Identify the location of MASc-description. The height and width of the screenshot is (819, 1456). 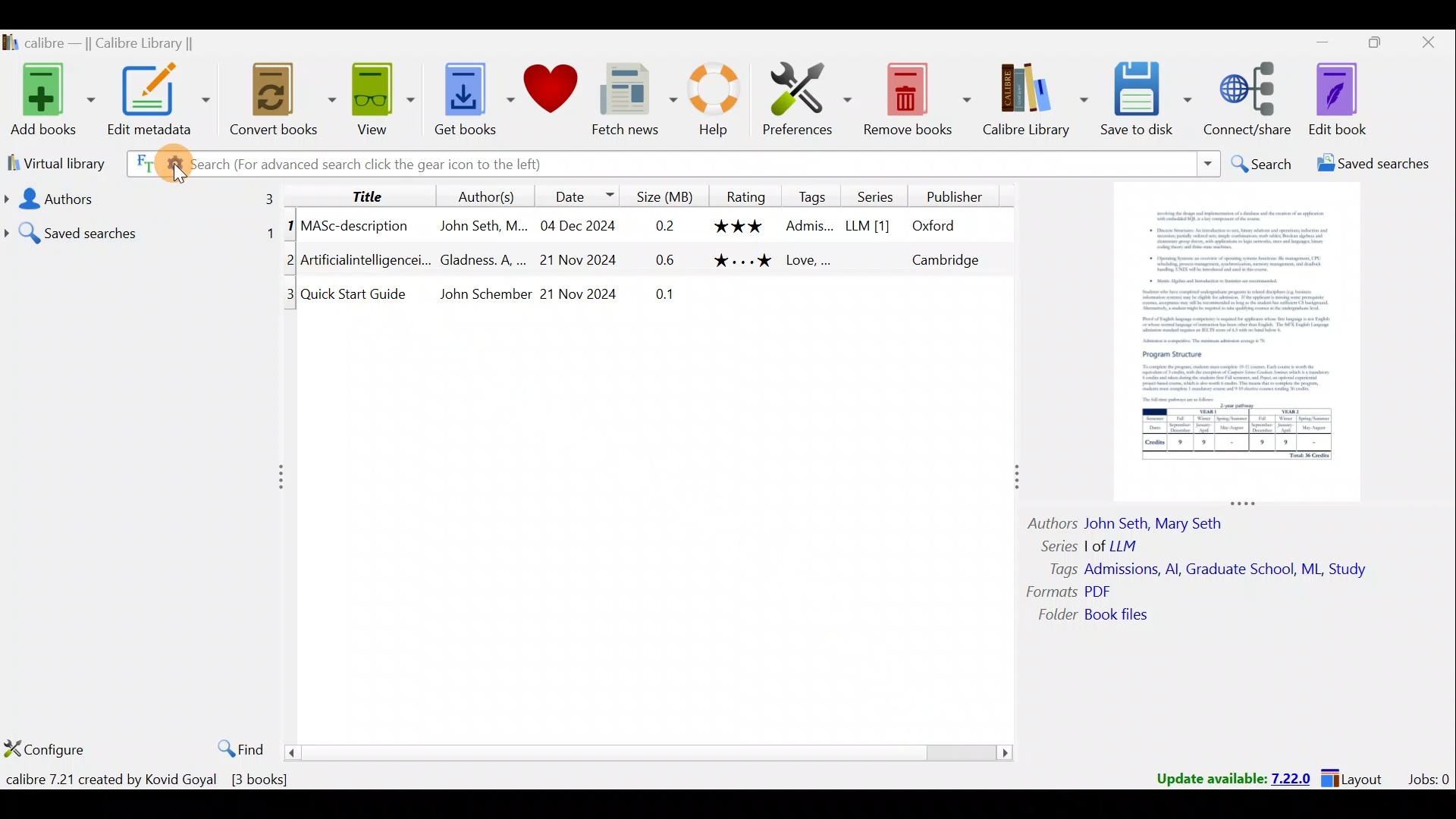
(356, 228).